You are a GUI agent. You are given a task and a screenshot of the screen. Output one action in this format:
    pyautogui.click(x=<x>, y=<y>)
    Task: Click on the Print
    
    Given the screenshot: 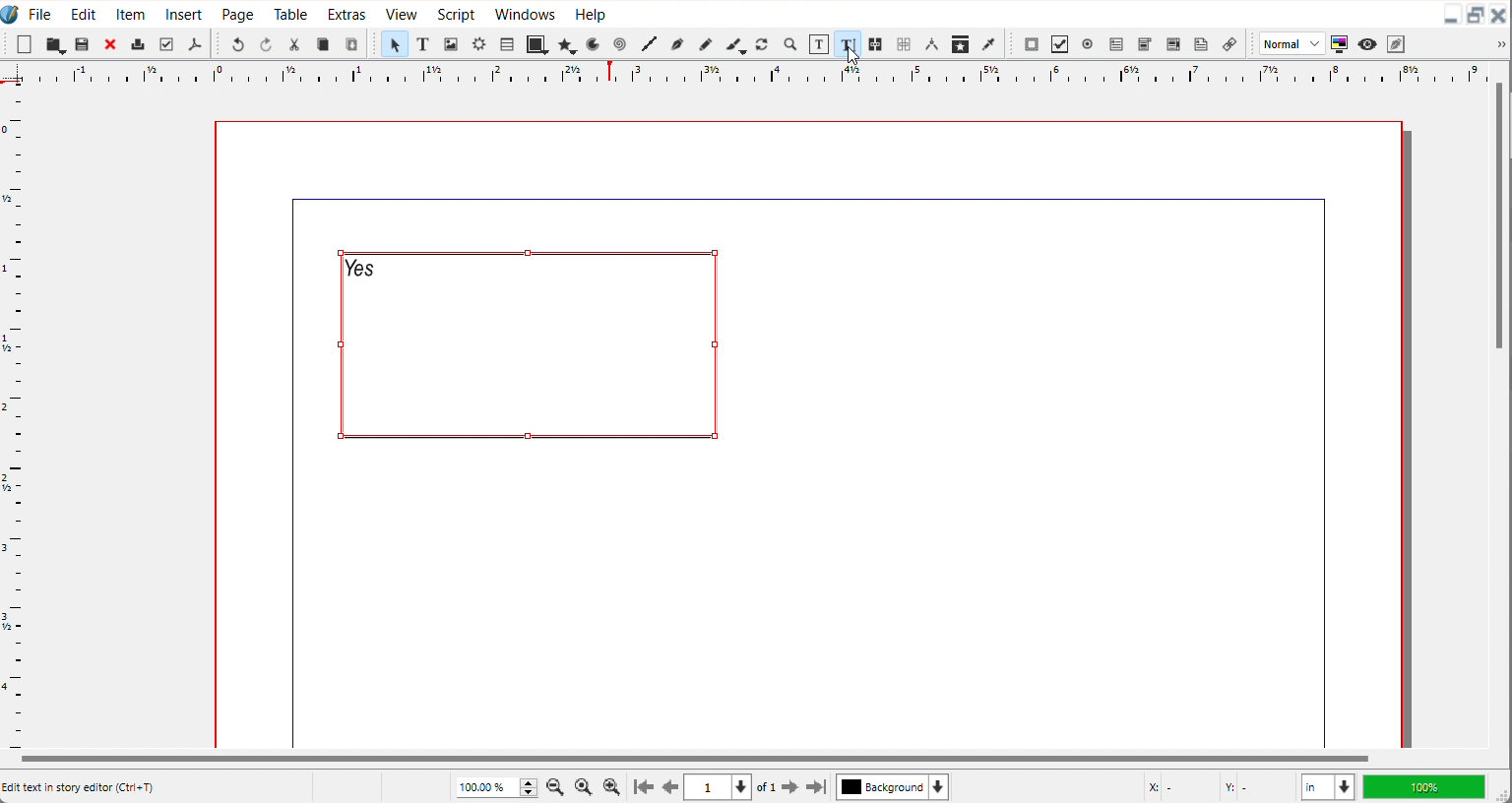 What is the action you would take?
    pyautogui.click(x=139, y=43)
    